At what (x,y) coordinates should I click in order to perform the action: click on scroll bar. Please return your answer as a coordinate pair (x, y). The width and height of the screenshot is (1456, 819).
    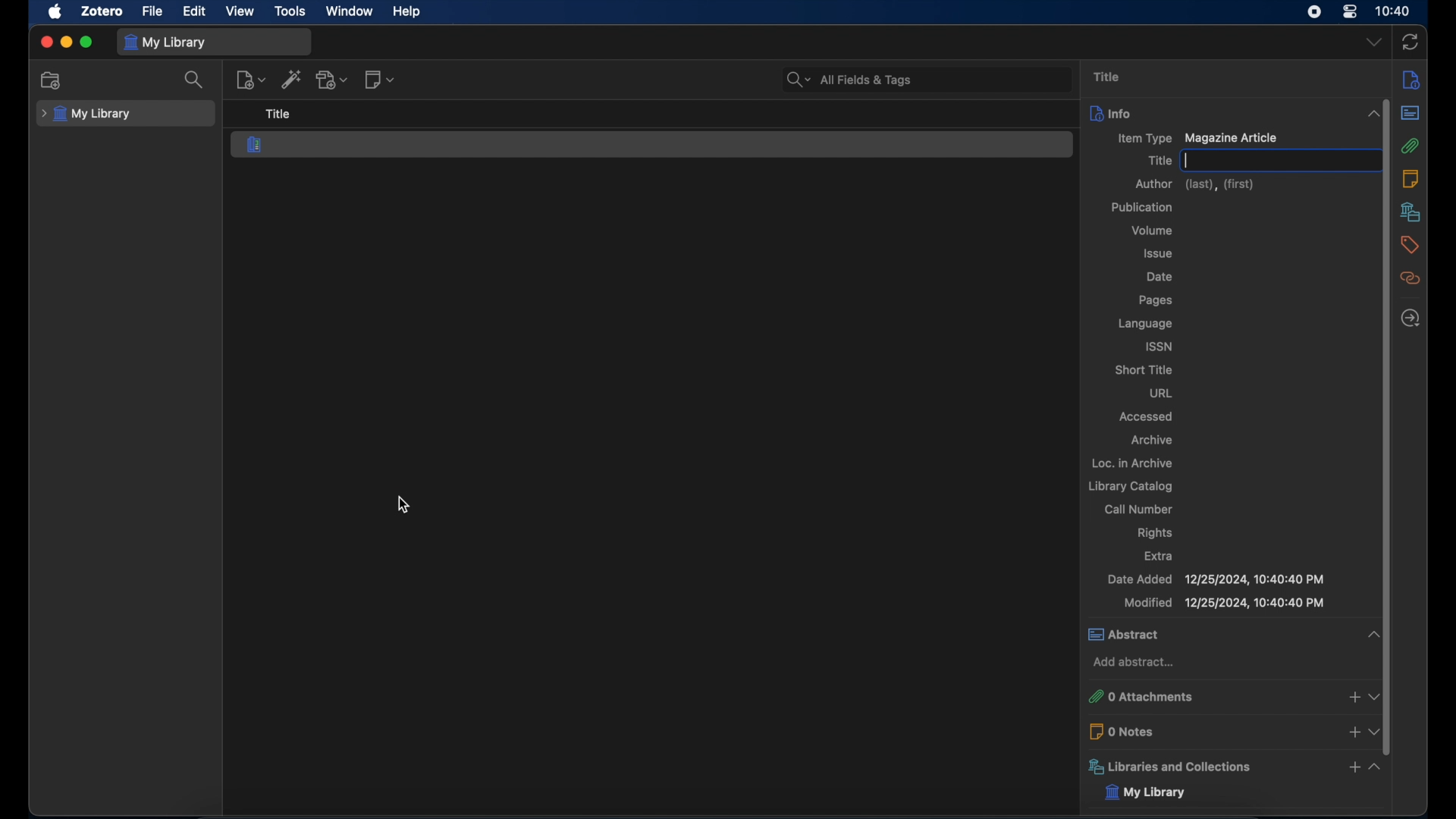
    Looking at the image, I should click on (1388, 439).